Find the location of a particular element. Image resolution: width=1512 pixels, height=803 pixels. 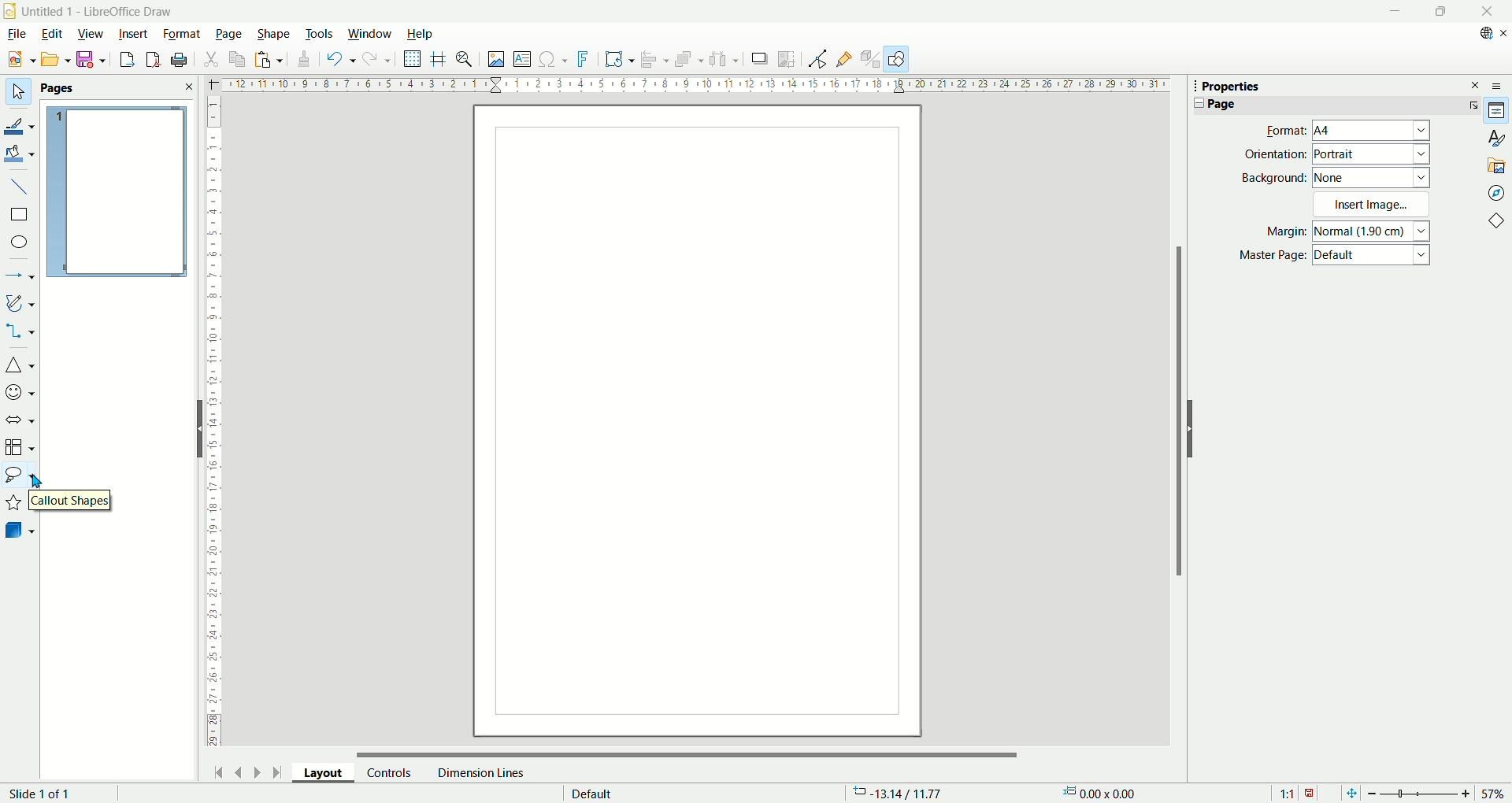

solid arrow is located at coordinates (20, 418).